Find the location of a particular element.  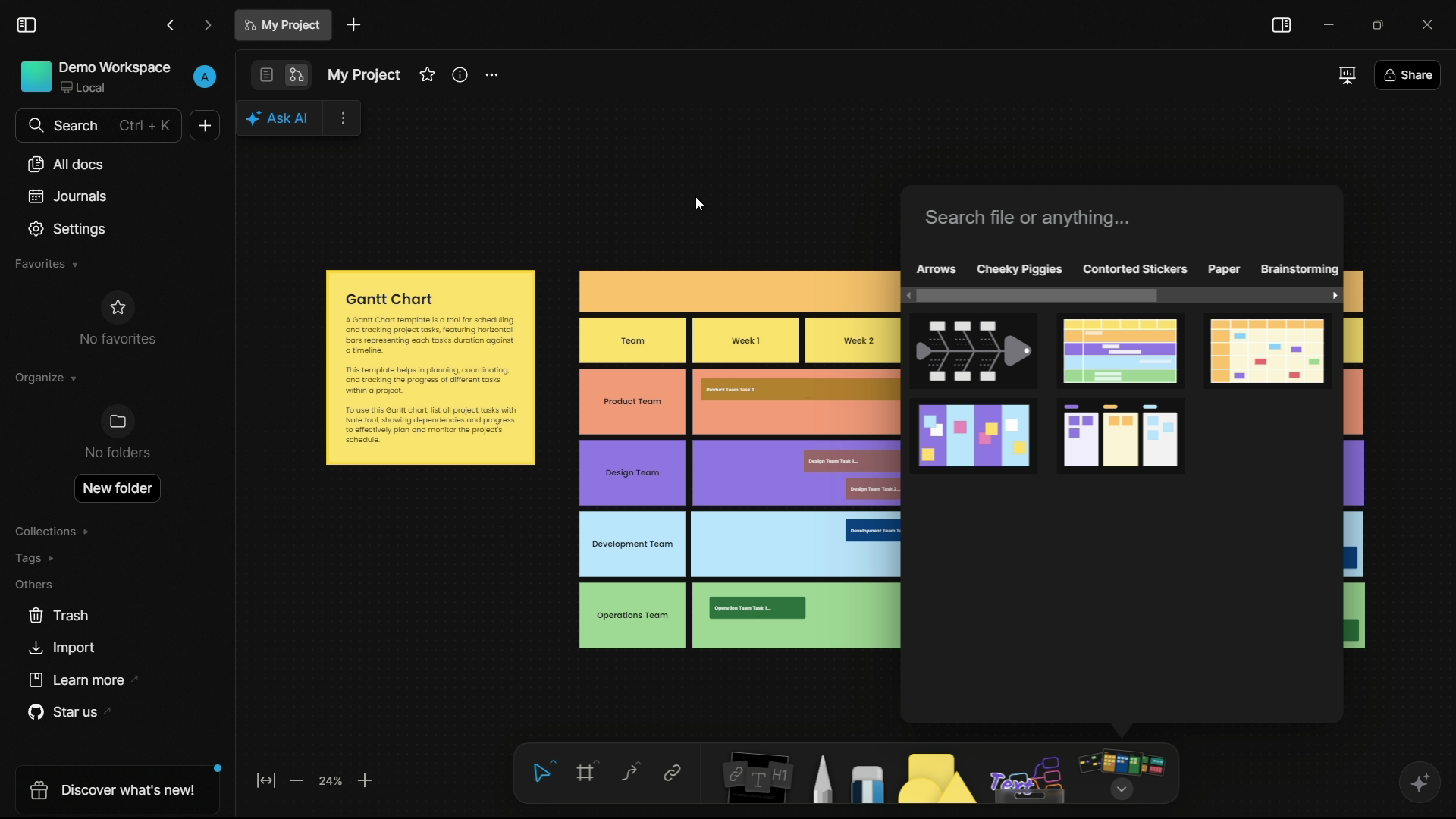

organize is located at coordinates (46, 378).